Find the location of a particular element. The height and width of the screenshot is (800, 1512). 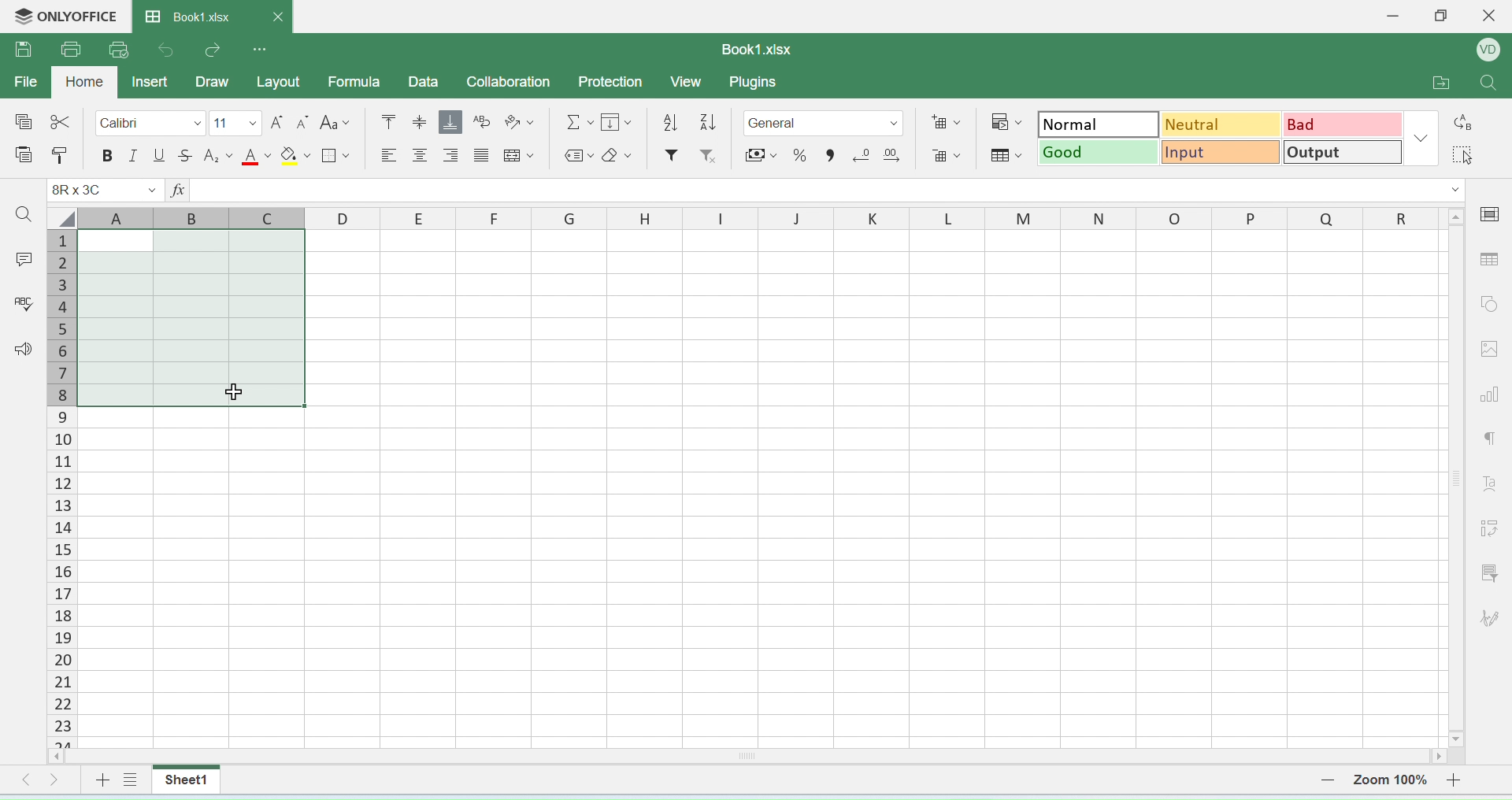

 is located at coordinates (306, 121).